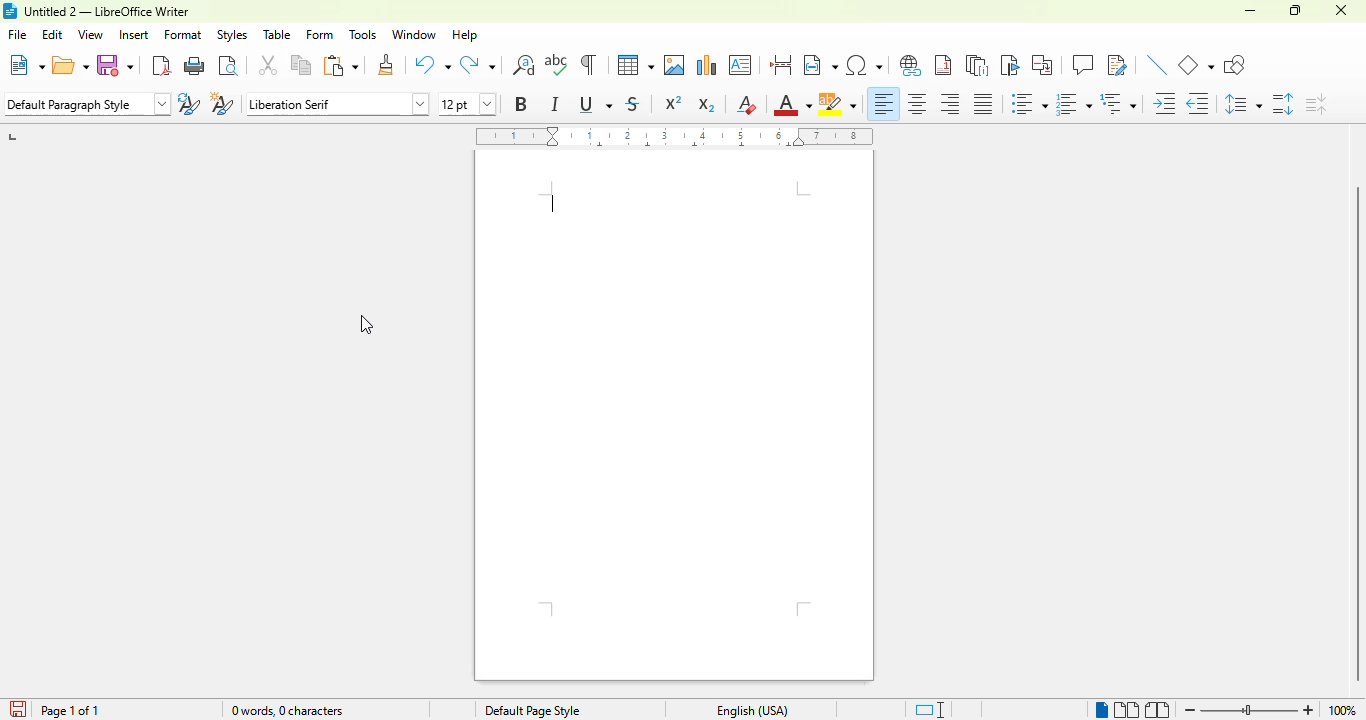 The width and height of the screenshot is (1366, 720). Describe the element at coordinates (267, 65) in the screenshot. I see `cut` at that location.